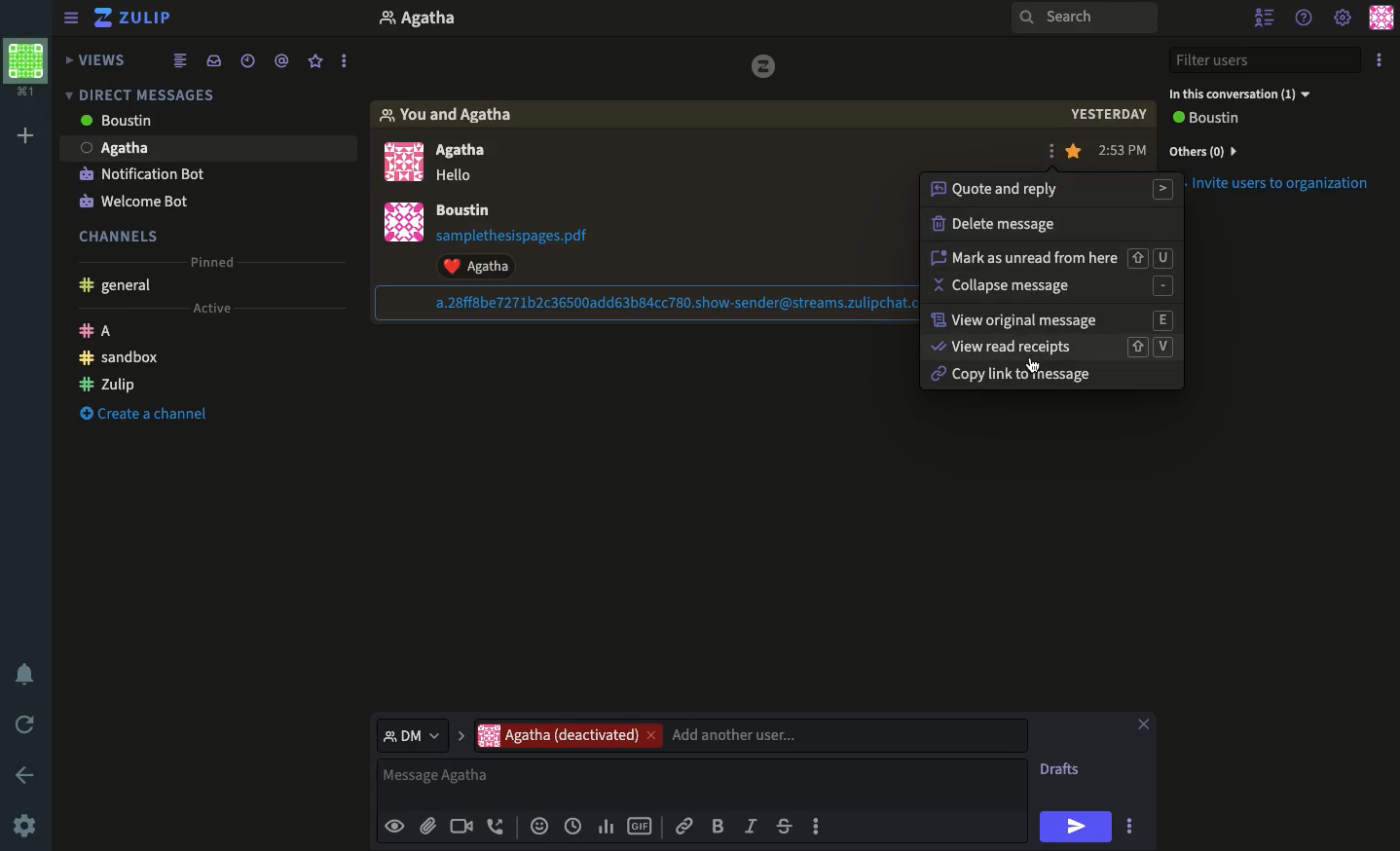 The image size is (1400, 851). Describe the element at coordinates (784, 826) in the screenshot. I see `Strikethrough` at that location.